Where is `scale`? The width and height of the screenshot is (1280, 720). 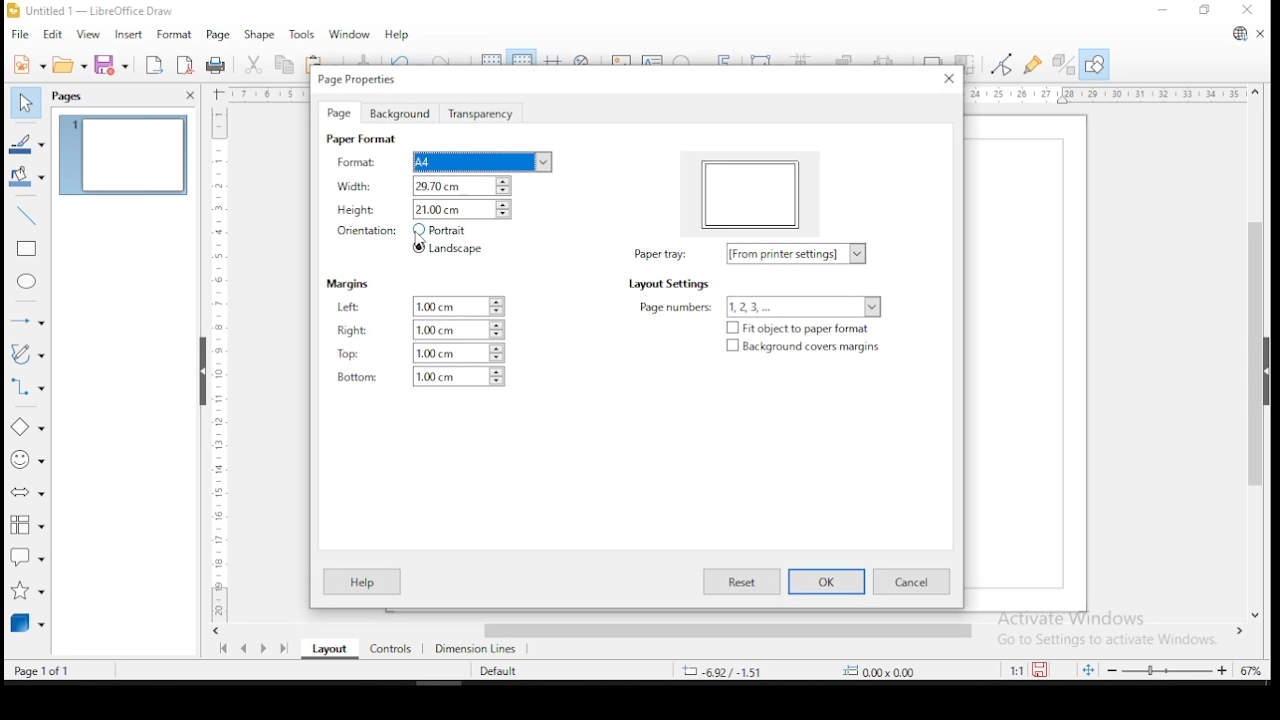
scale is located at coordinates (216, 362).